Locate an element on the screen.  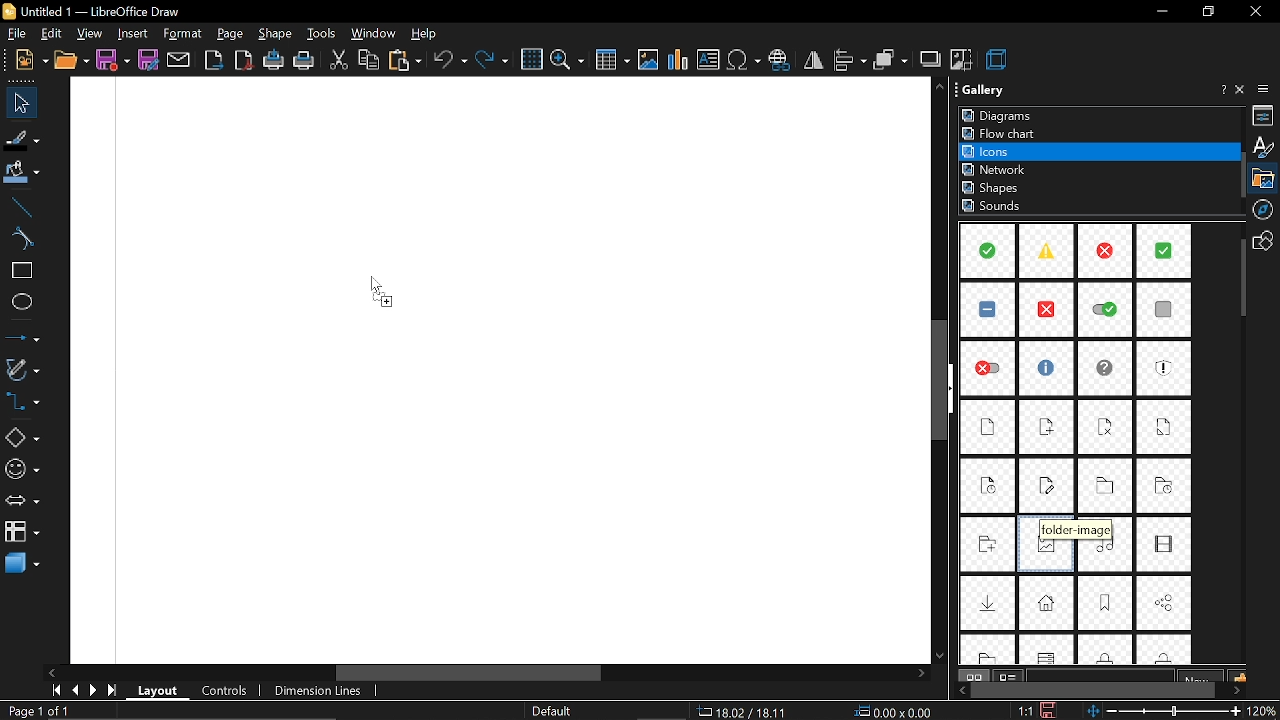
select is located at coordinates (16, 103).